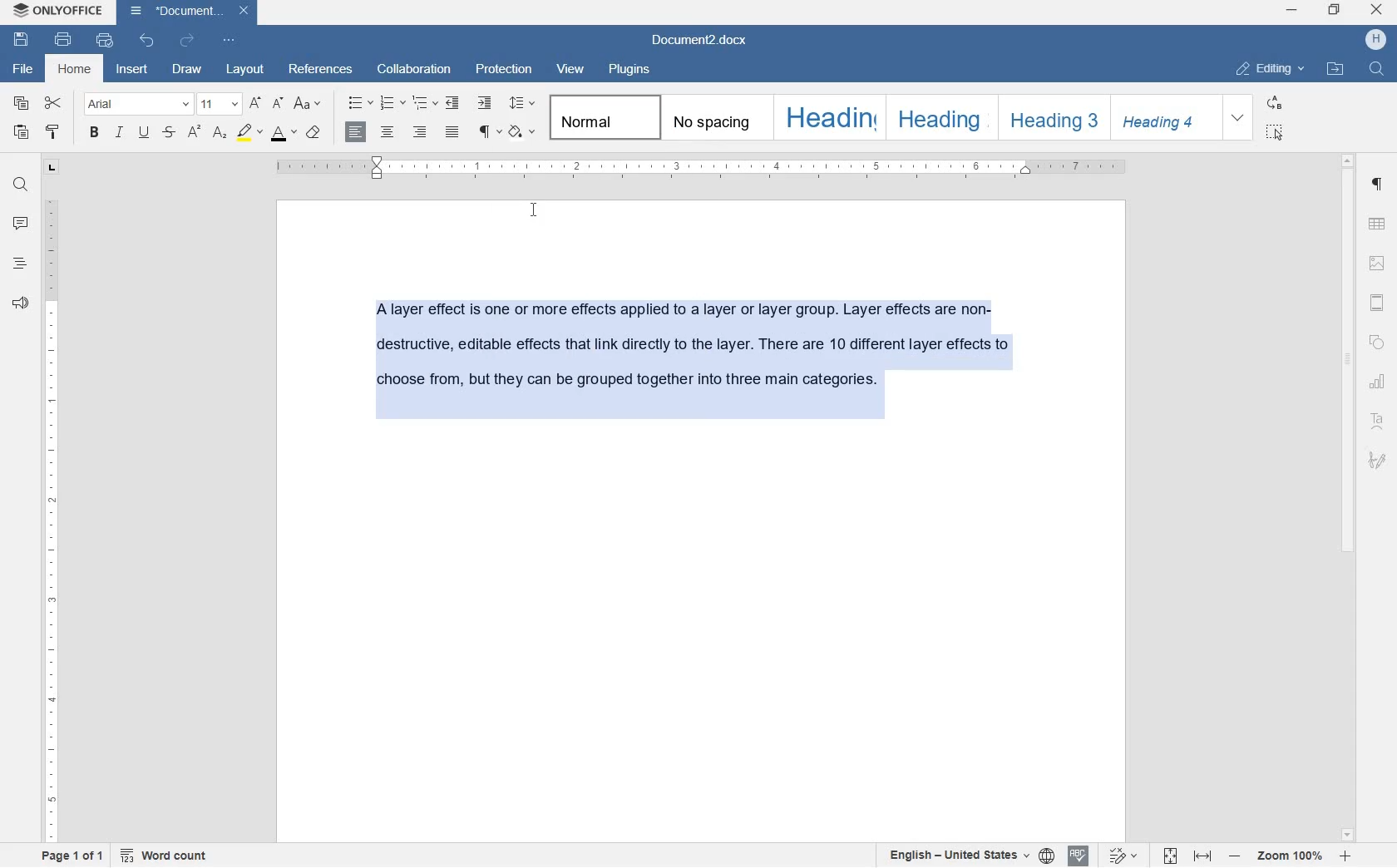  I want to click on clear style, so click(312, 133).